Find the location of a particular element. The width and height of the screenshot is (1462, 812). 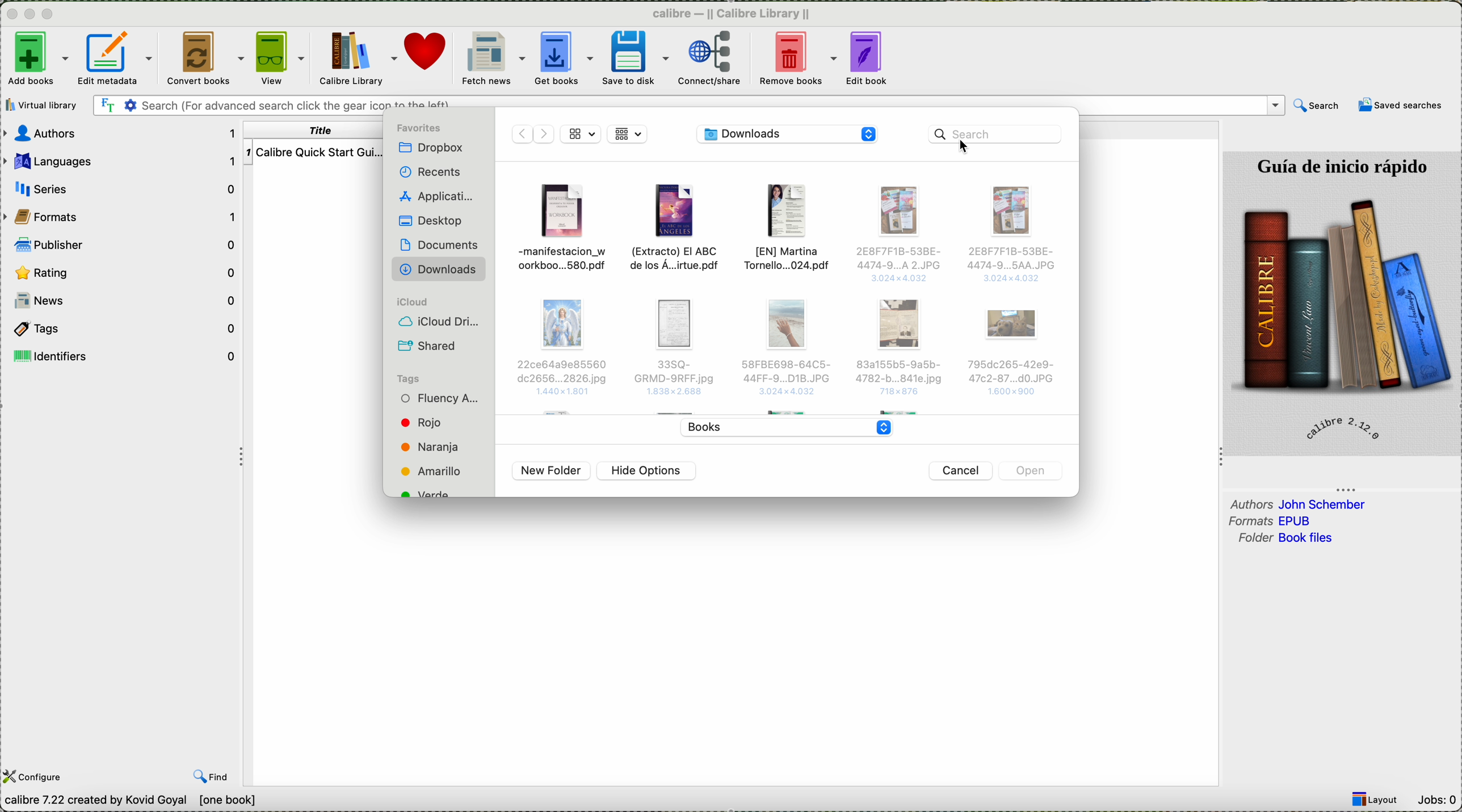

identifiers is located at coordinates (123, 356).